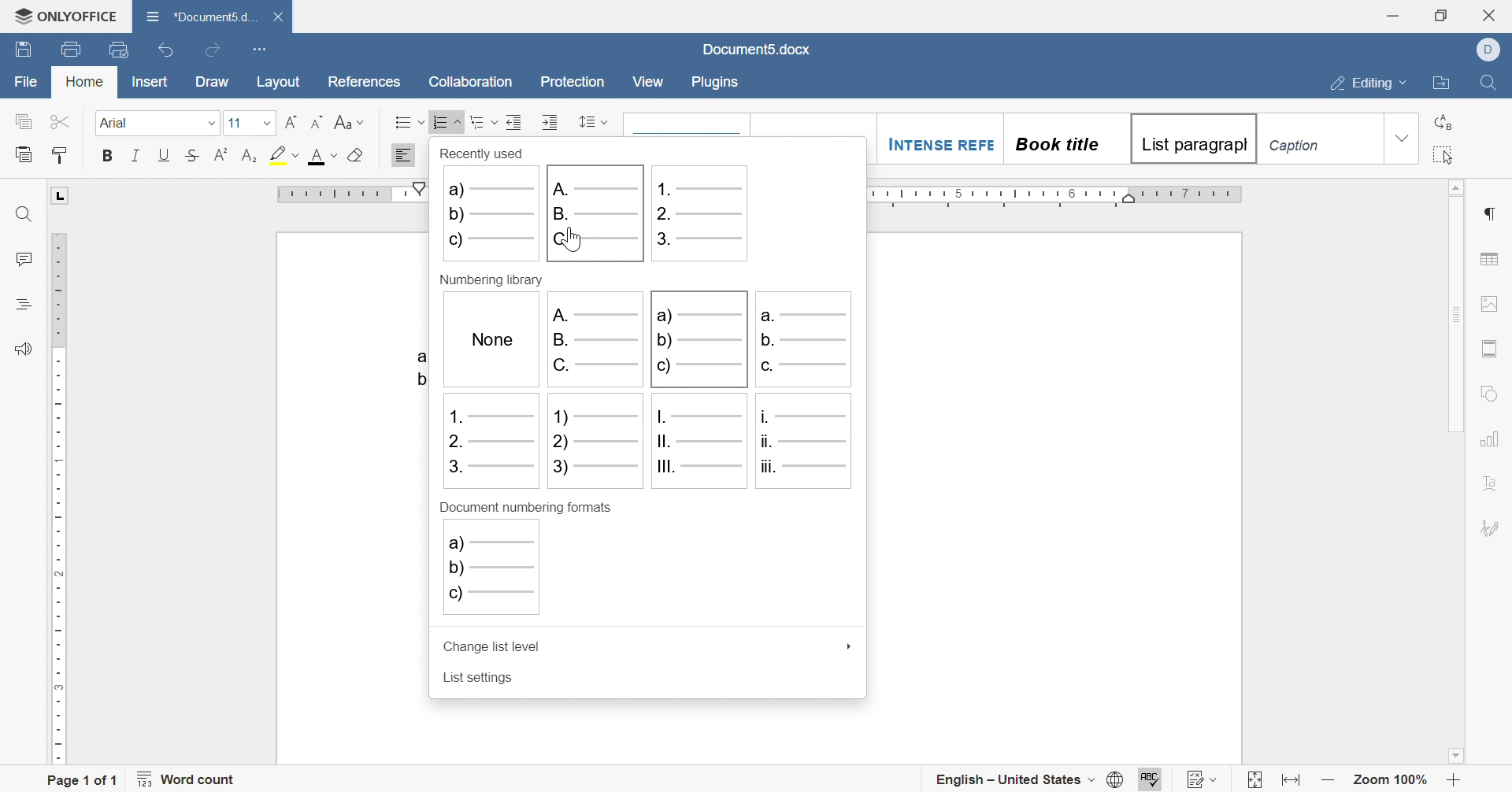 The width and height of the screenshot is (1512, 792). What do you see at coordinates (168, 153) in the screenshot?
I see `underline` at bounding box center [168, 153].